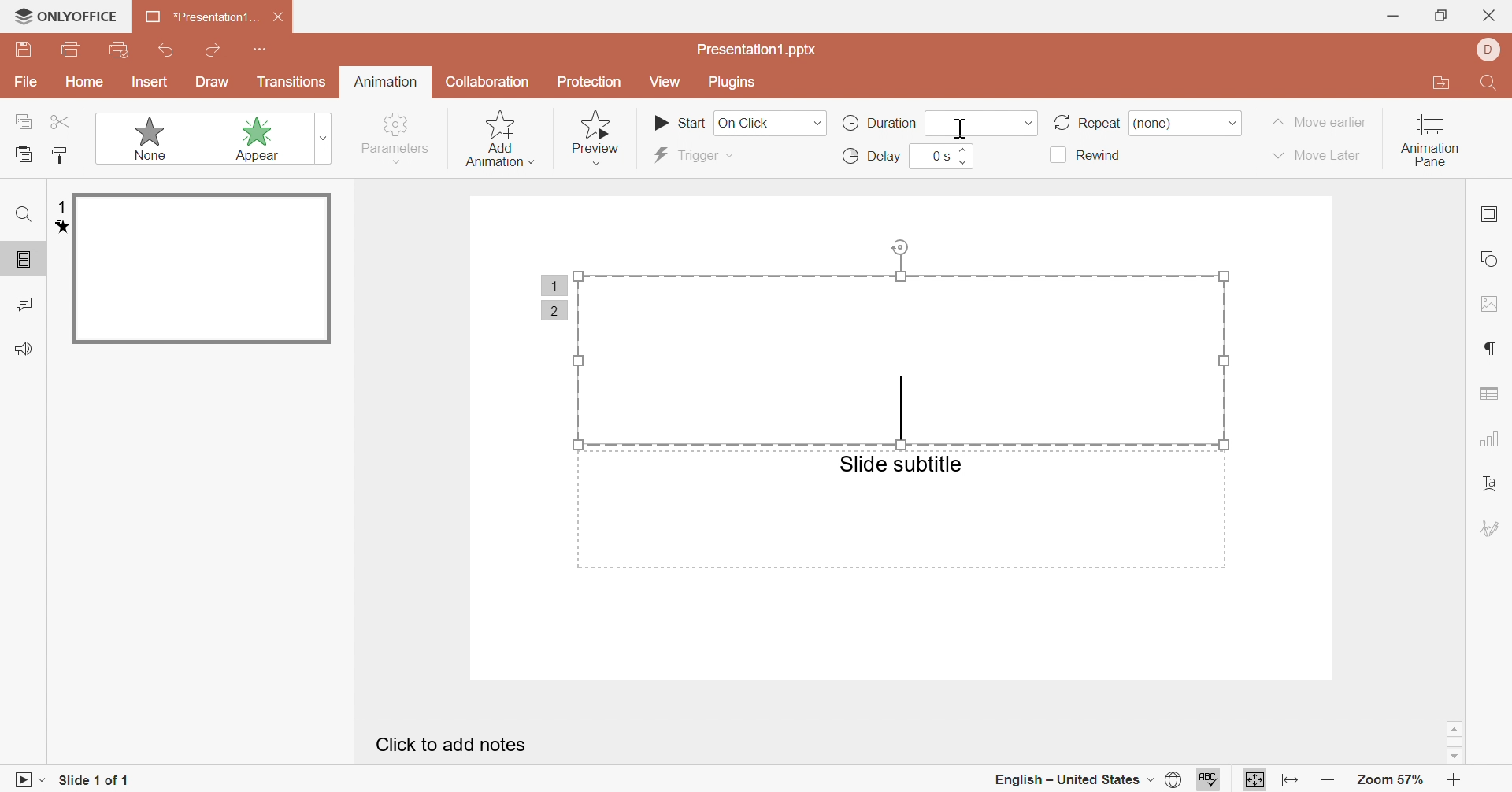  Describe the element at coordinates (769, 123) in the screenshot. I see `on click` at that location.